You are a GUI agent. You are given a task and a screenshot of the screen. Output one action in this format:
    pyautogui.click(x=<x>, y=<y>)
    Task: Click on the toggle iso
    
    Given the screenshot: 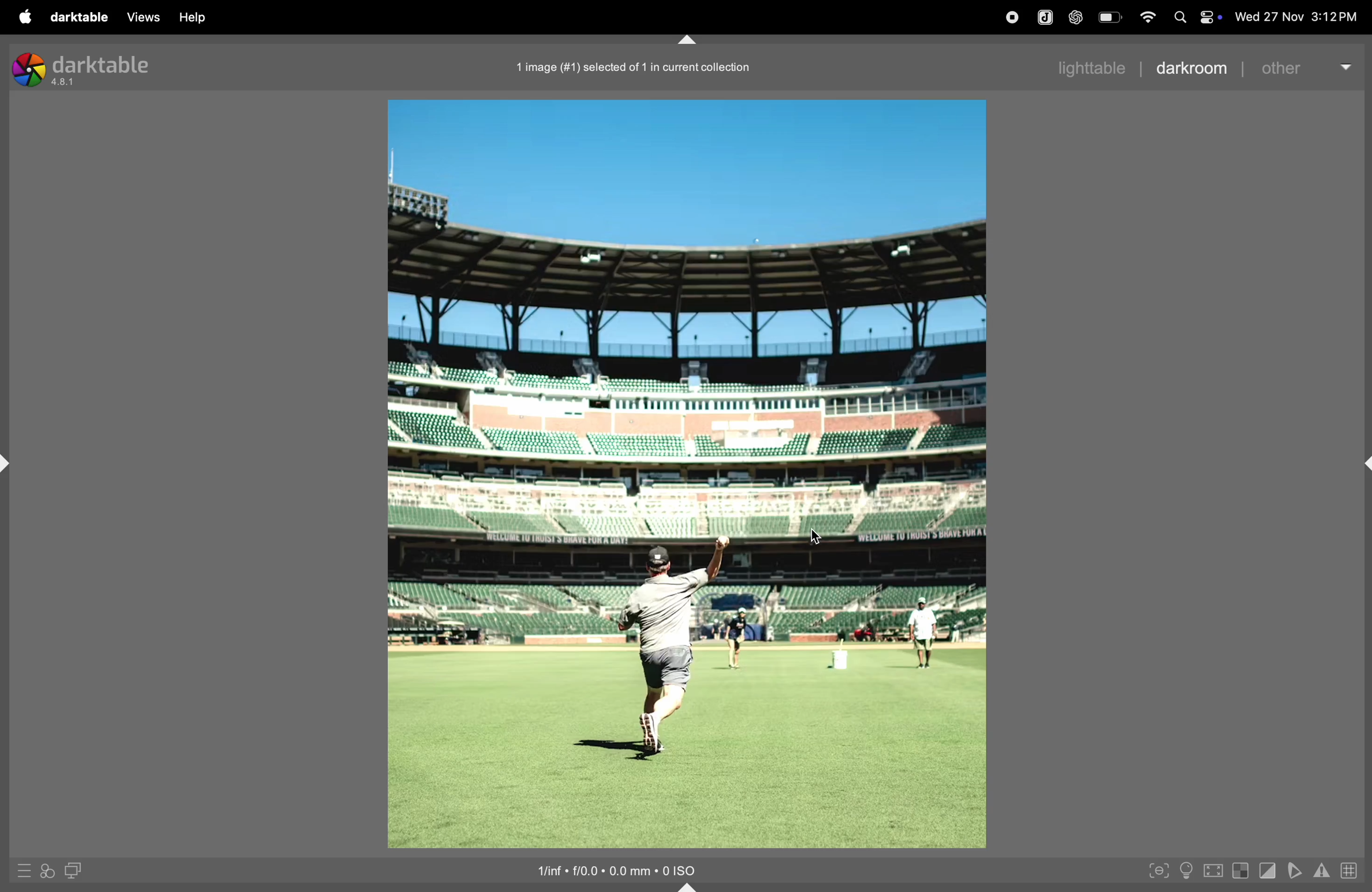 What is the action you would take?
    pyautogui.click(x=1186, y=870)
    